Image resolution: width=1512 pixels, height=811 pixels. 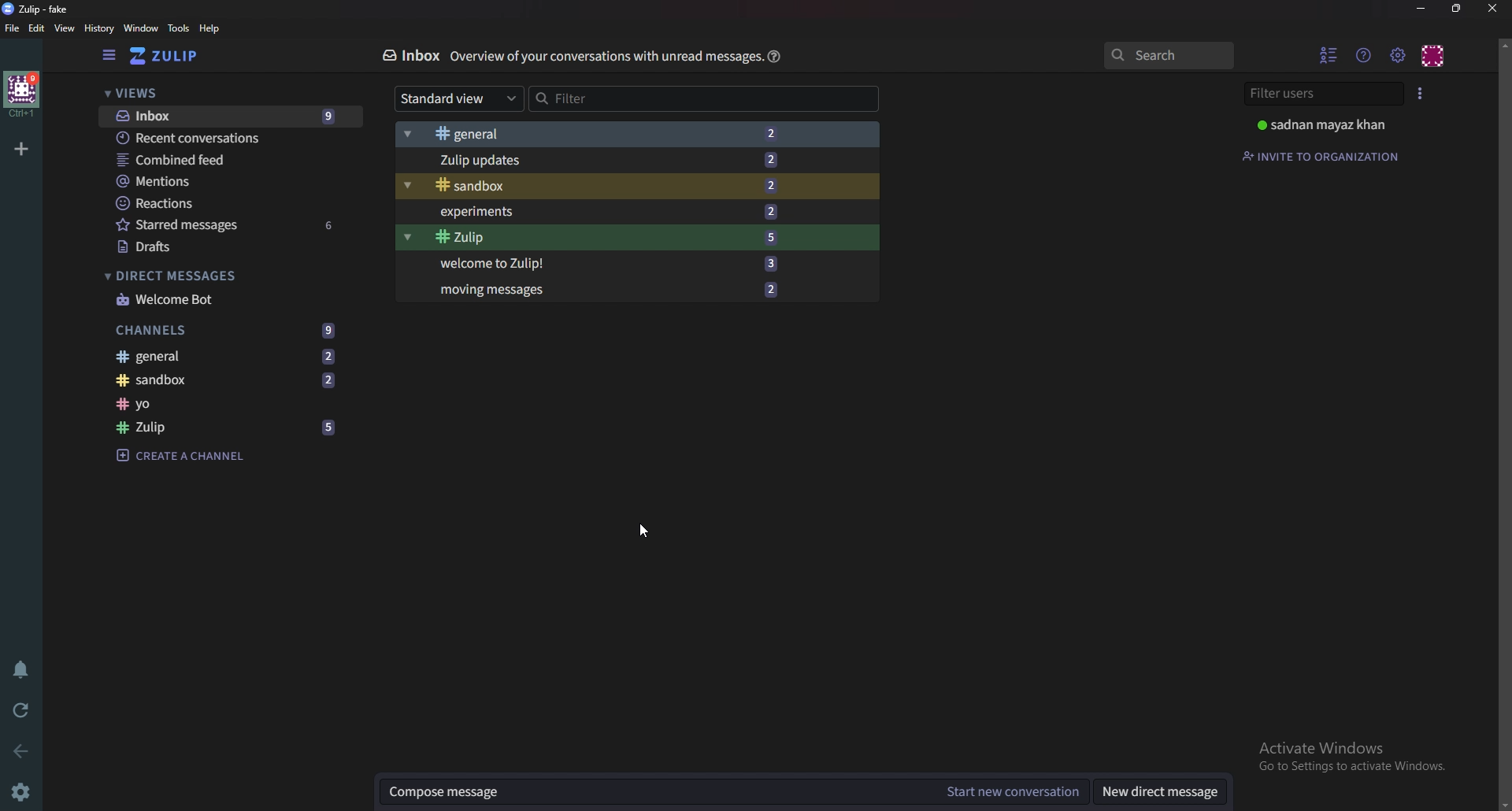 I want to click on cursor, so click(x=644, y=528).